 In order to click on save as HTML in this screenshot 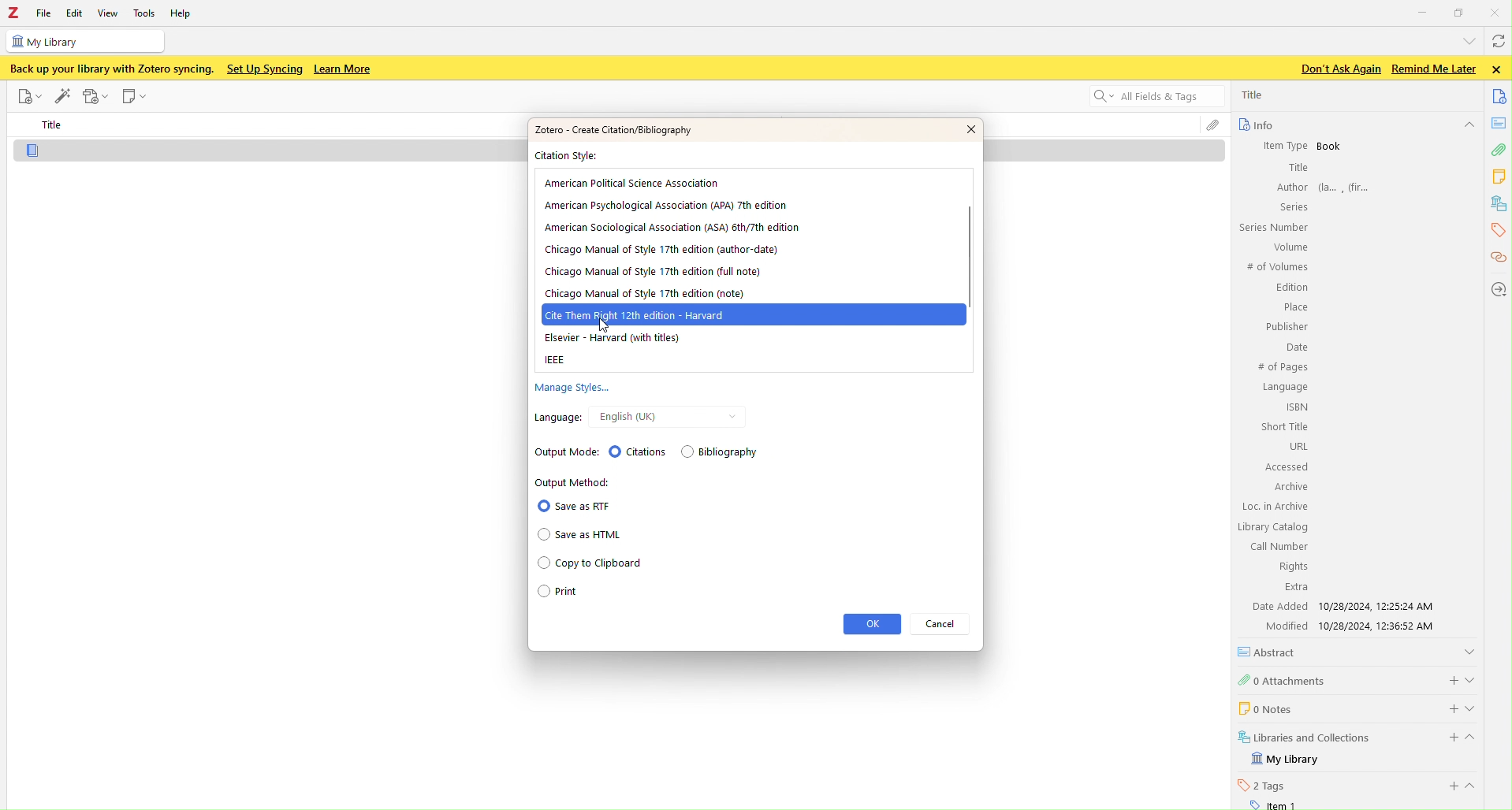, I will do `click(584, 535)`.